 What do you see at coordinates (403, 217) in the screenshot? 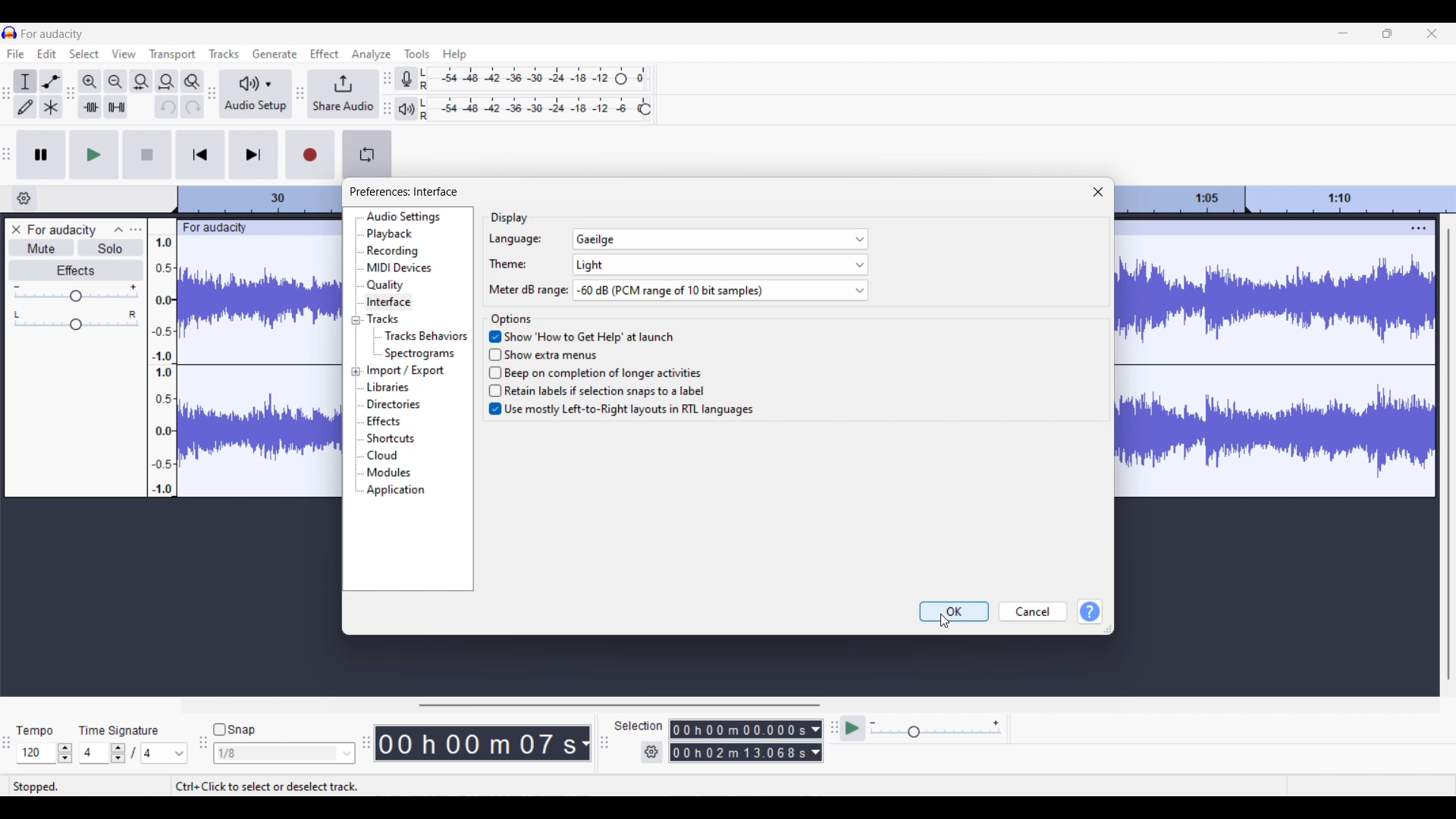
I see `Audio settings` at bounding box center [403, 217].